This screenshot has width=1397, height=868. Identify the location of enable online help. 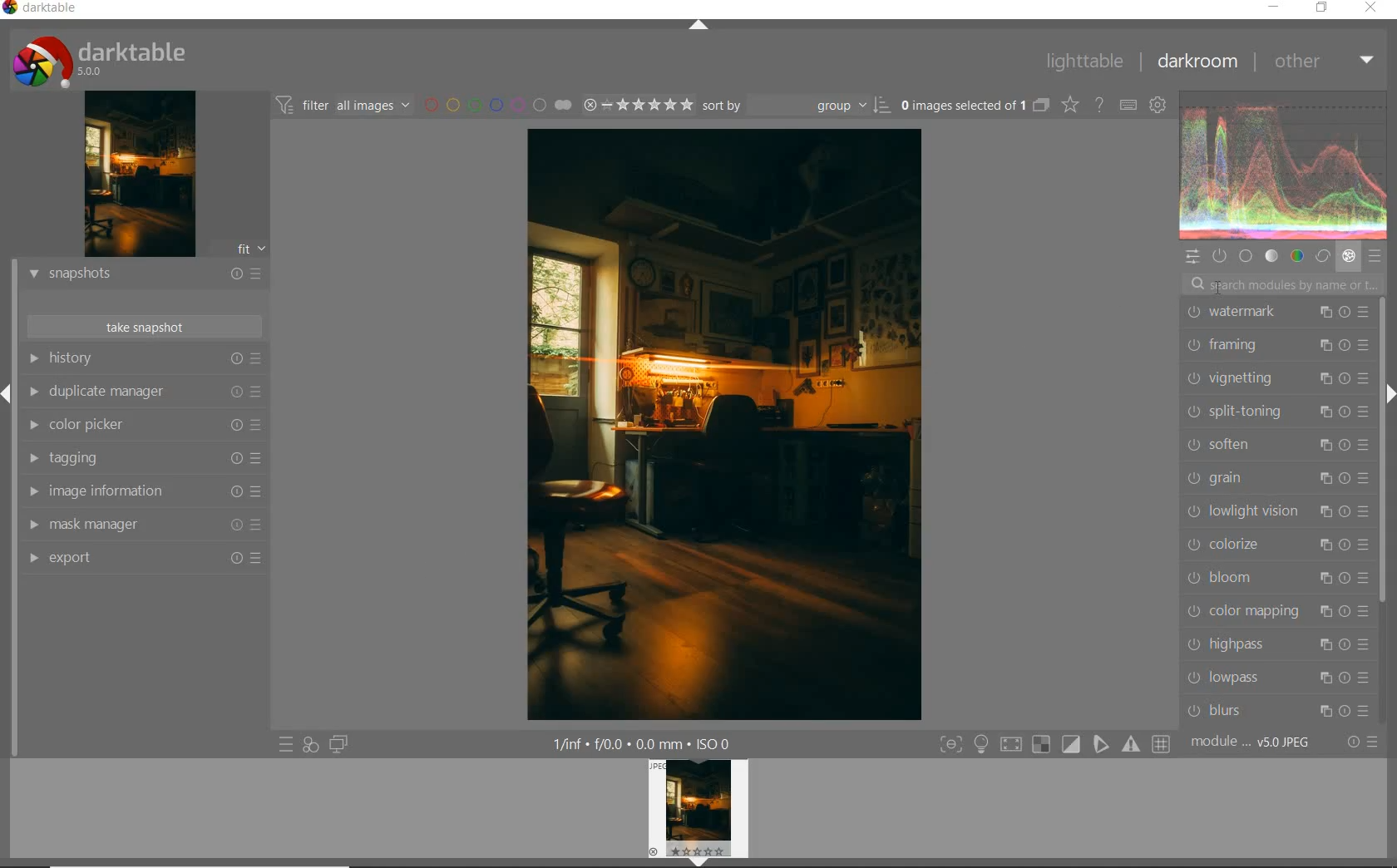
(1098, 105).